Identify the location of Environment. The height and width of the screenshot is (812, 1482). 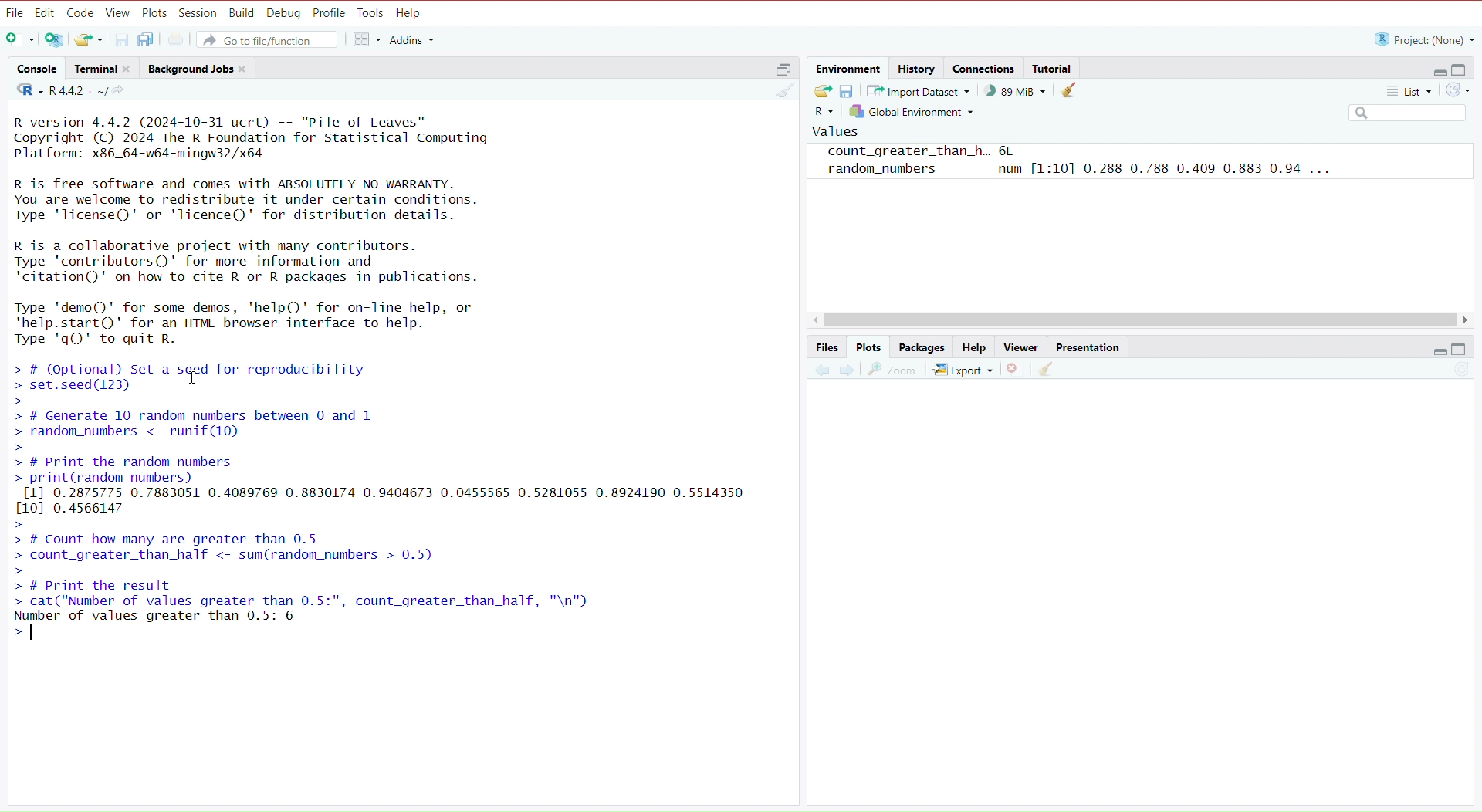
(849, 67).